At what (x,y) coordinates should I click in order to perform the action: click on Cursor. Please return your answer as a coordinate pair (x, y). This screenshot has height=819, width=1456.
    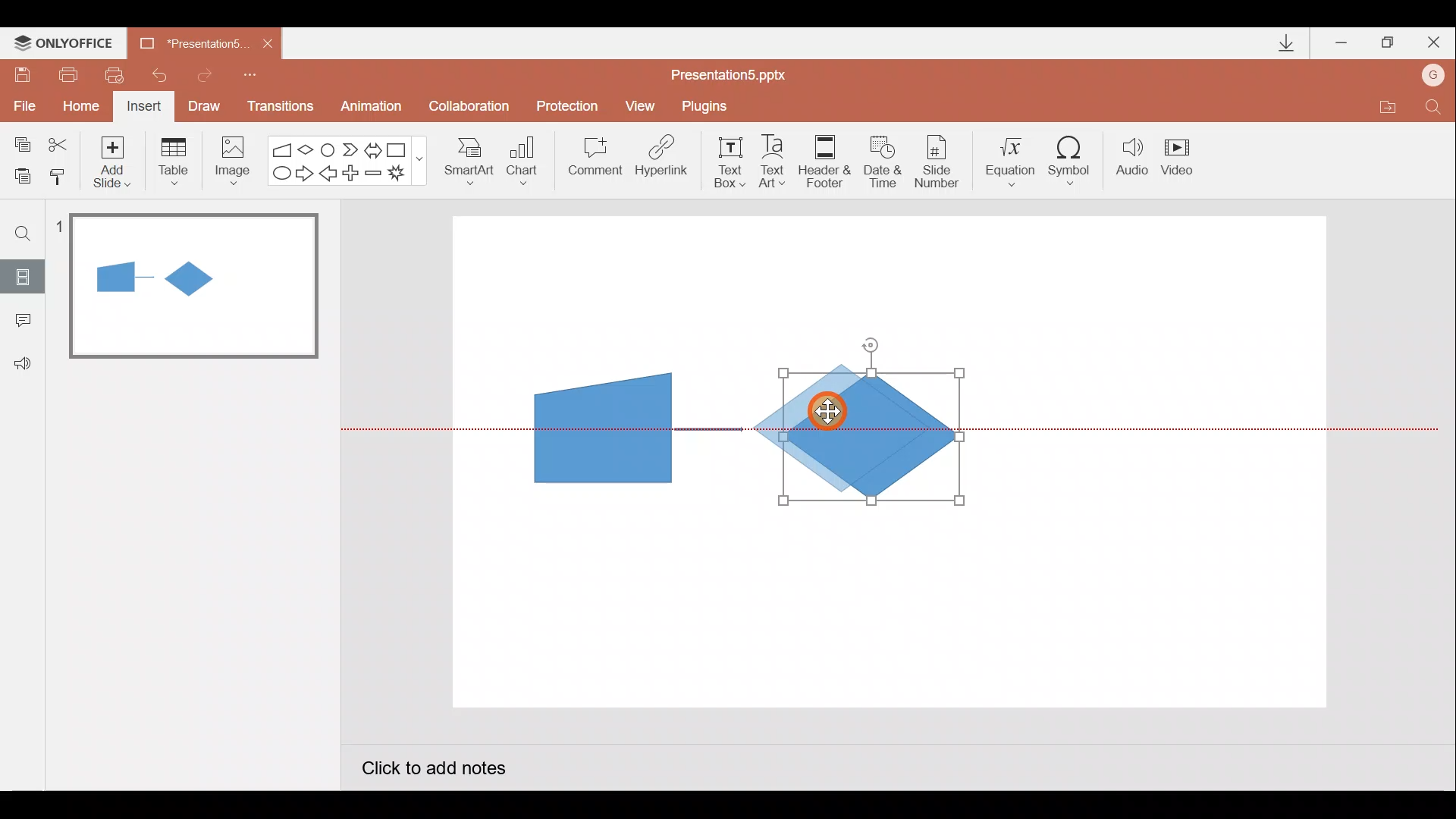
    Looking at the image, I should click on (832, 415).